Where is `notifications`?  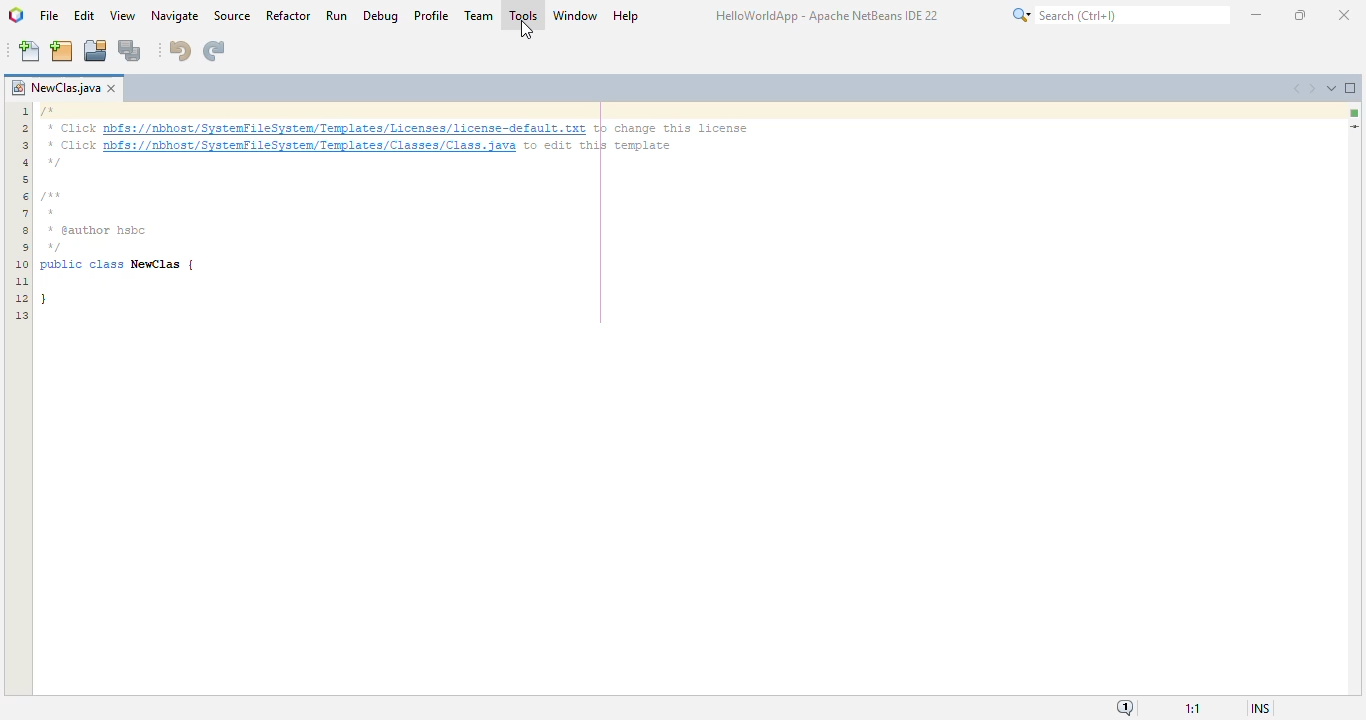 notifications is located at coordinates (1124, 708).